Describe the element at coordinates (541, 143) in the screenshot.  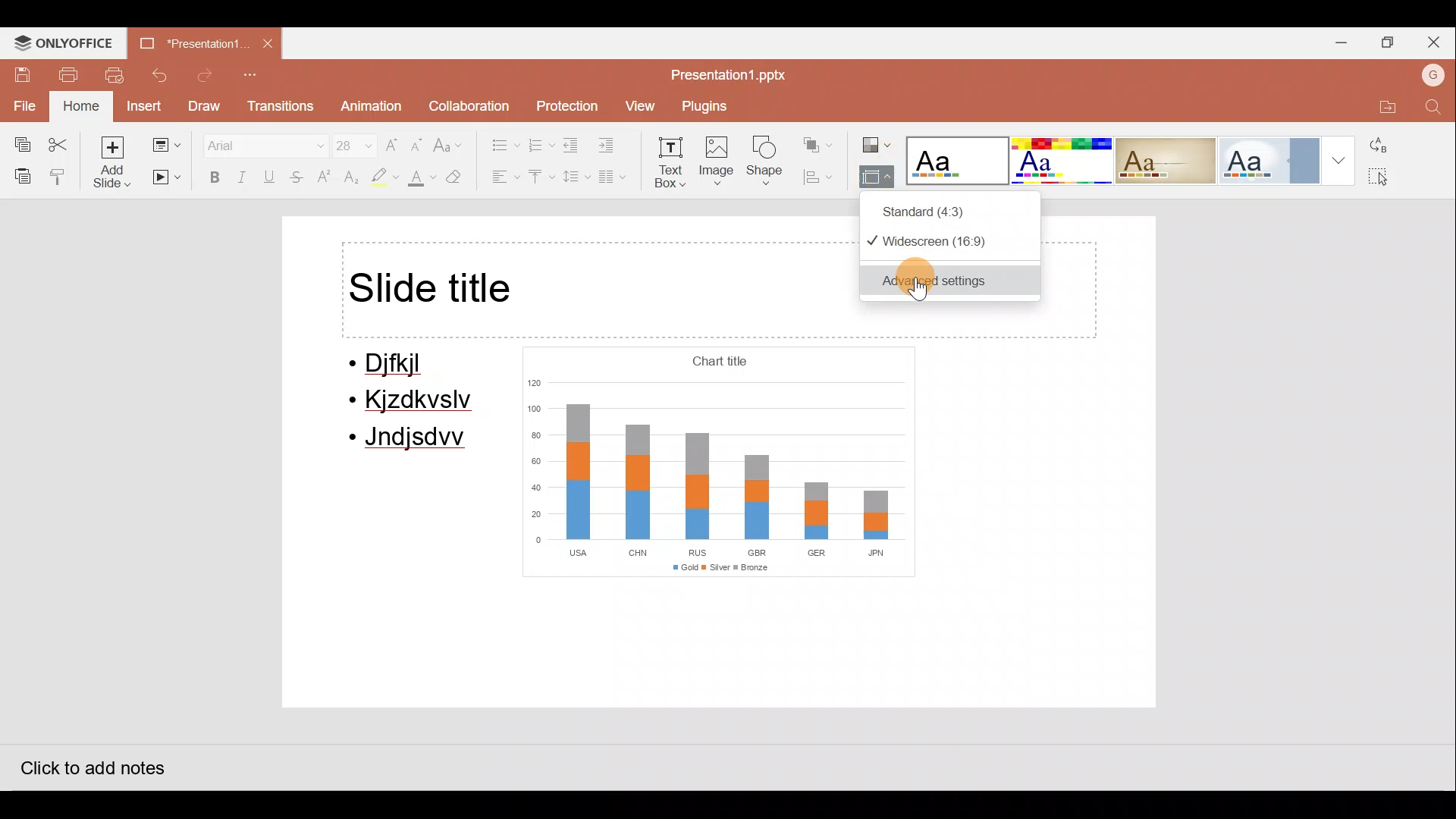
I see `Numbering` at that location.